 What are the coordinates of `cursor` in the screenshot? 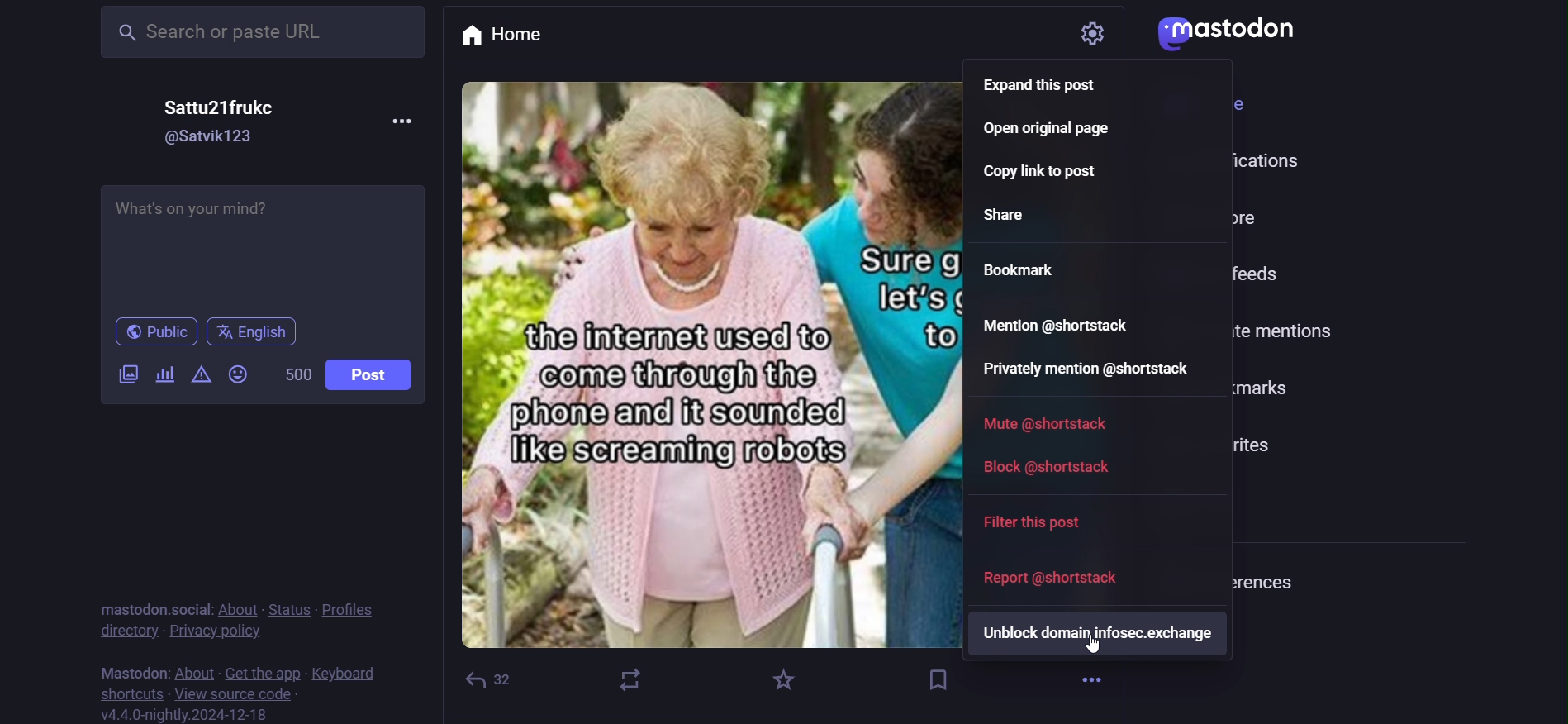 It's located at (1095, 650).